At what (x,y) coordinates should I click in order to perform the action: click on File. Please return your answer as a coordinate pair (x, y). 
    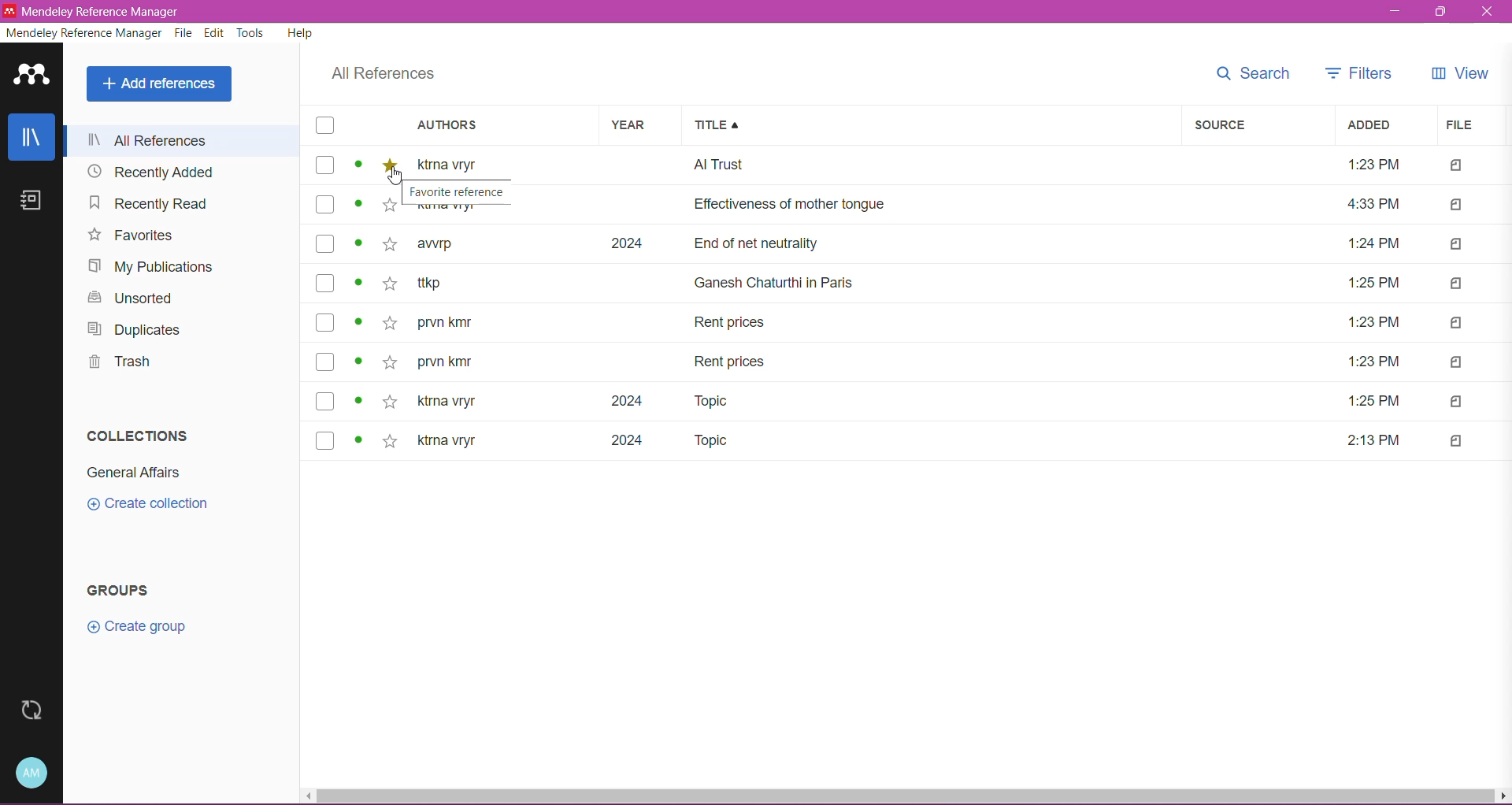
    Looking at the image, I should click on (1466, 124).